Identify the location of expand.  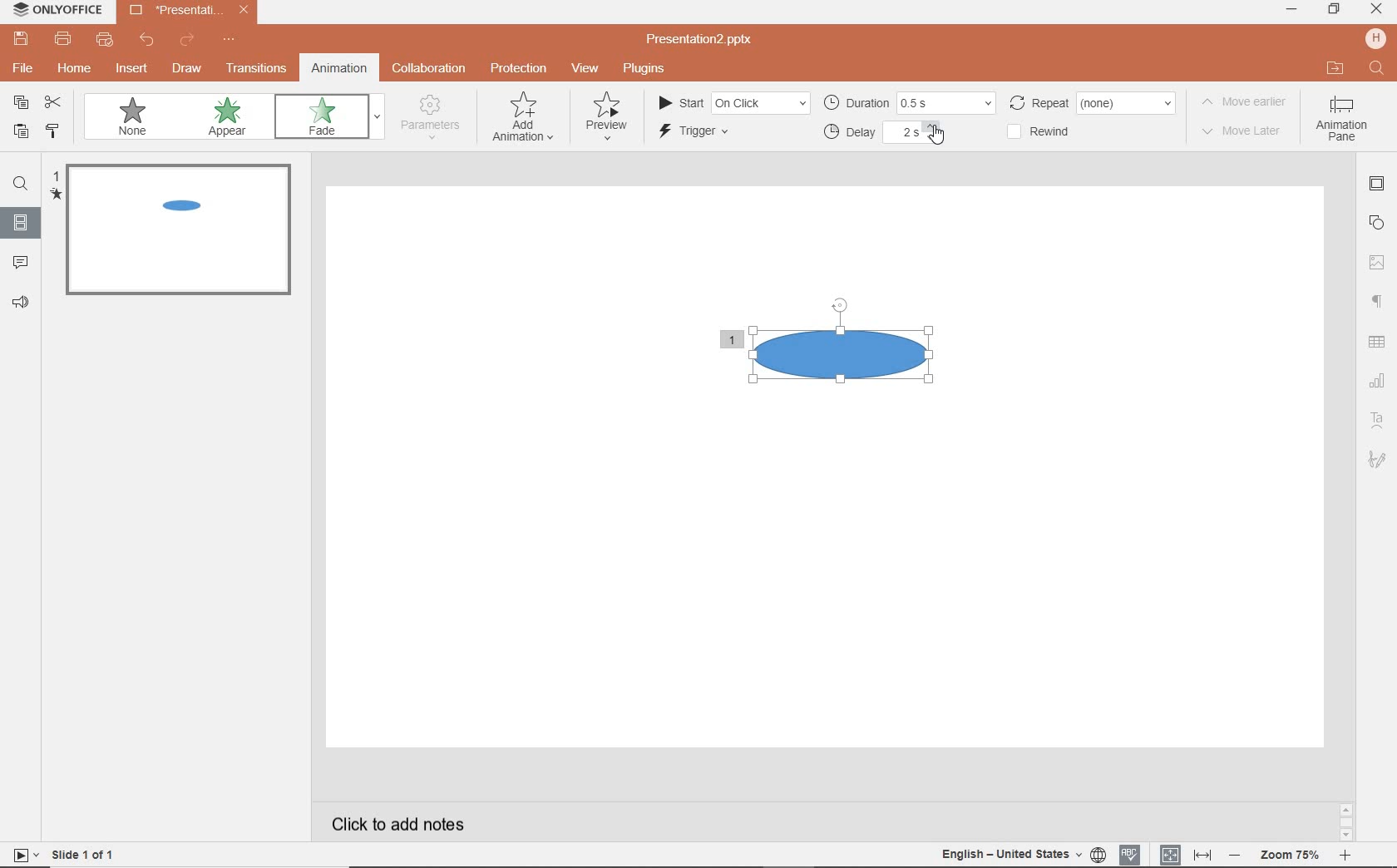
(379, 117).